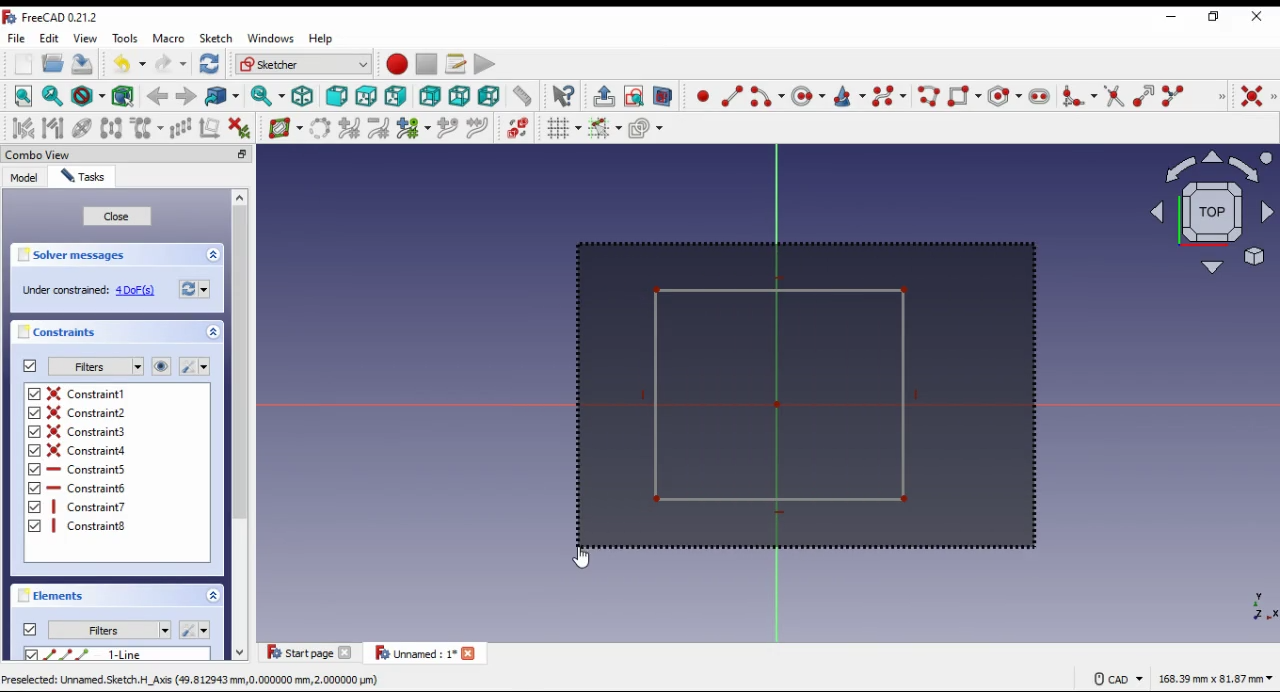  What do you see at coordinates (431, 96) in the screenshot?
I see `rear` at bounding box center [431, 96].